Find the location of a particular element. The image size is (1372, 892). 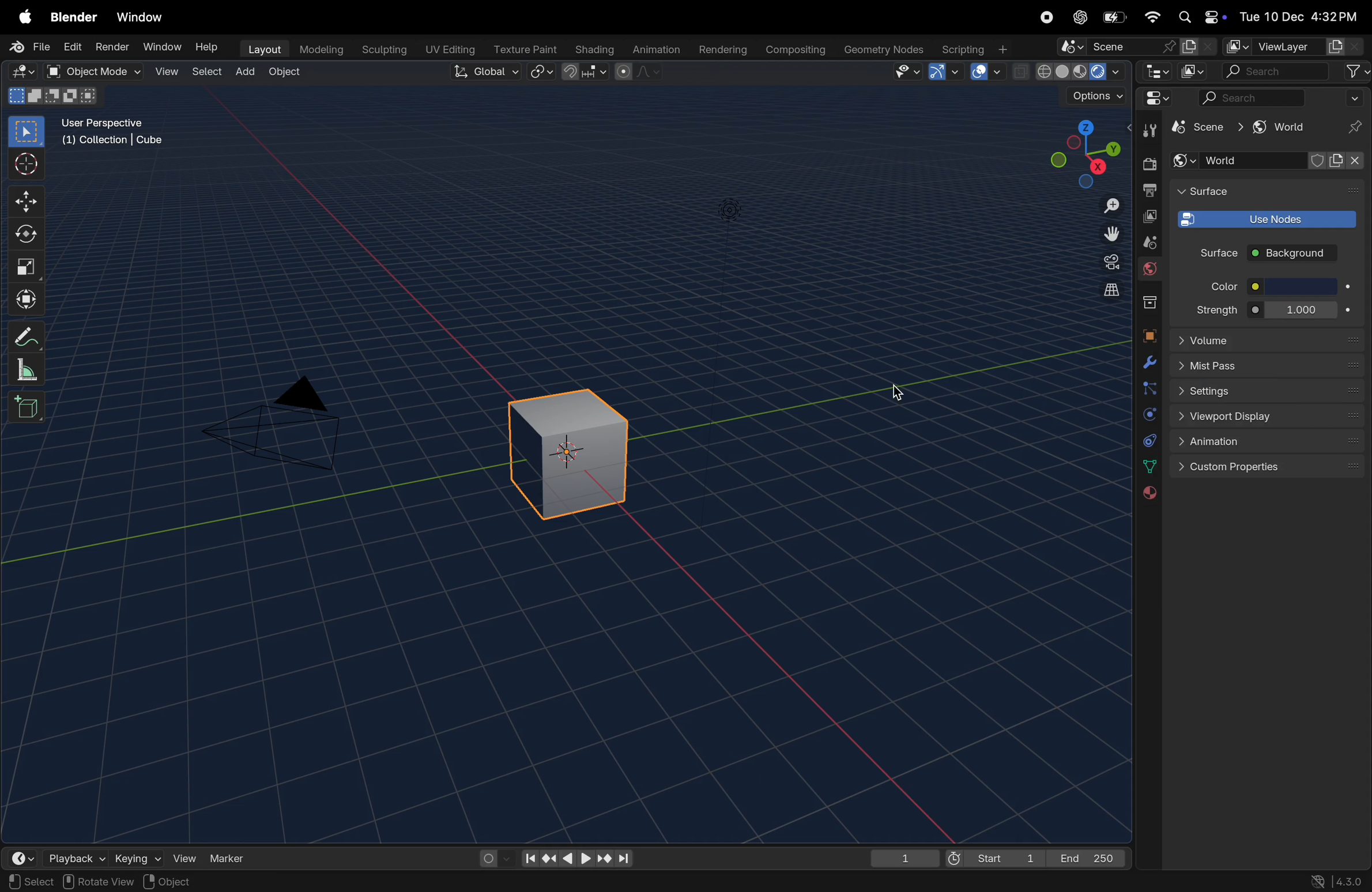

add cube is located at coordinates (28, 406).